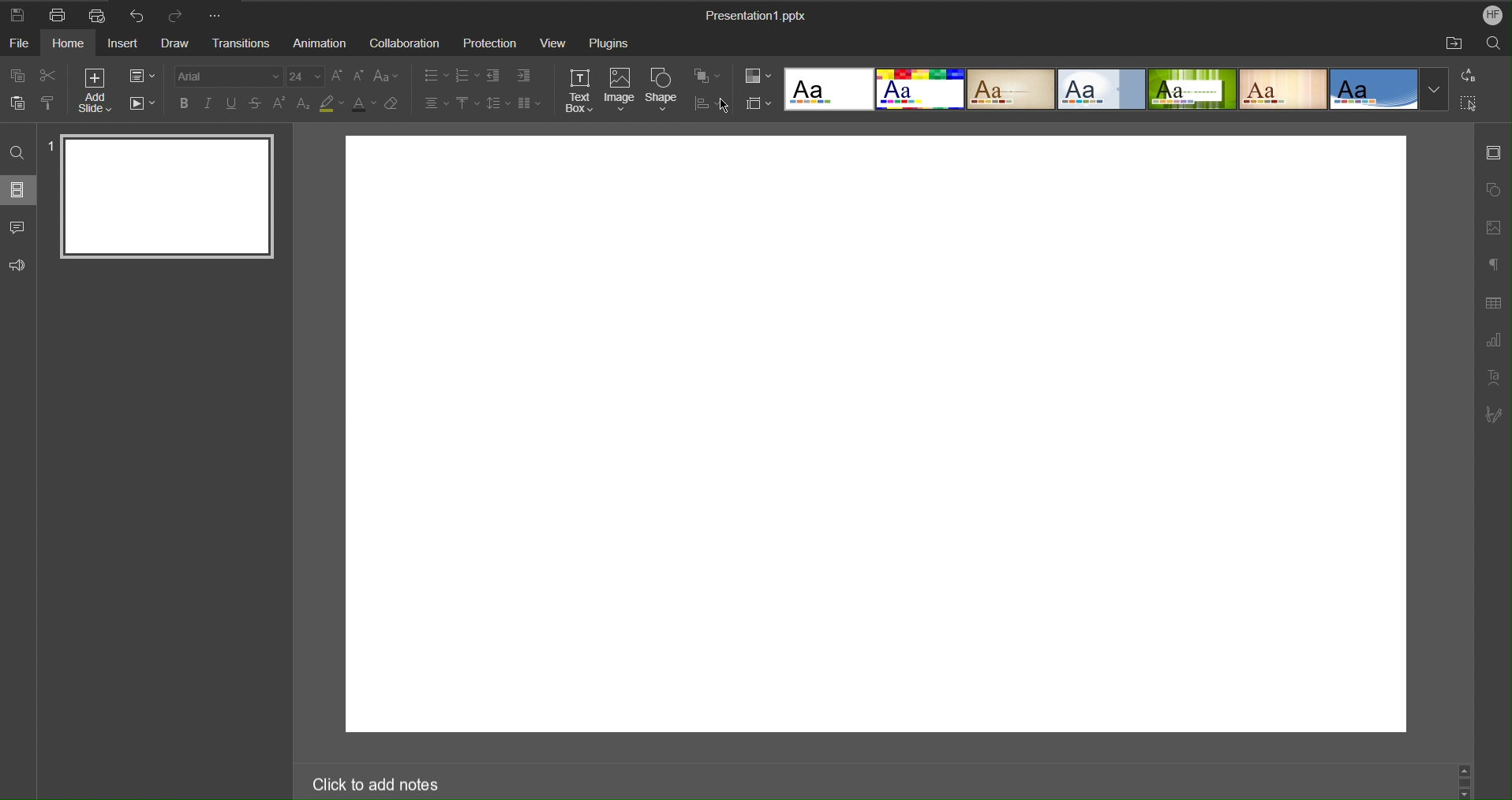 The width and height of the screenshot is (1512, 800). What do you see at coordinates (1448, 45) in the screenshot?
I see `Open File Location` at bounding box center [1448, 45].